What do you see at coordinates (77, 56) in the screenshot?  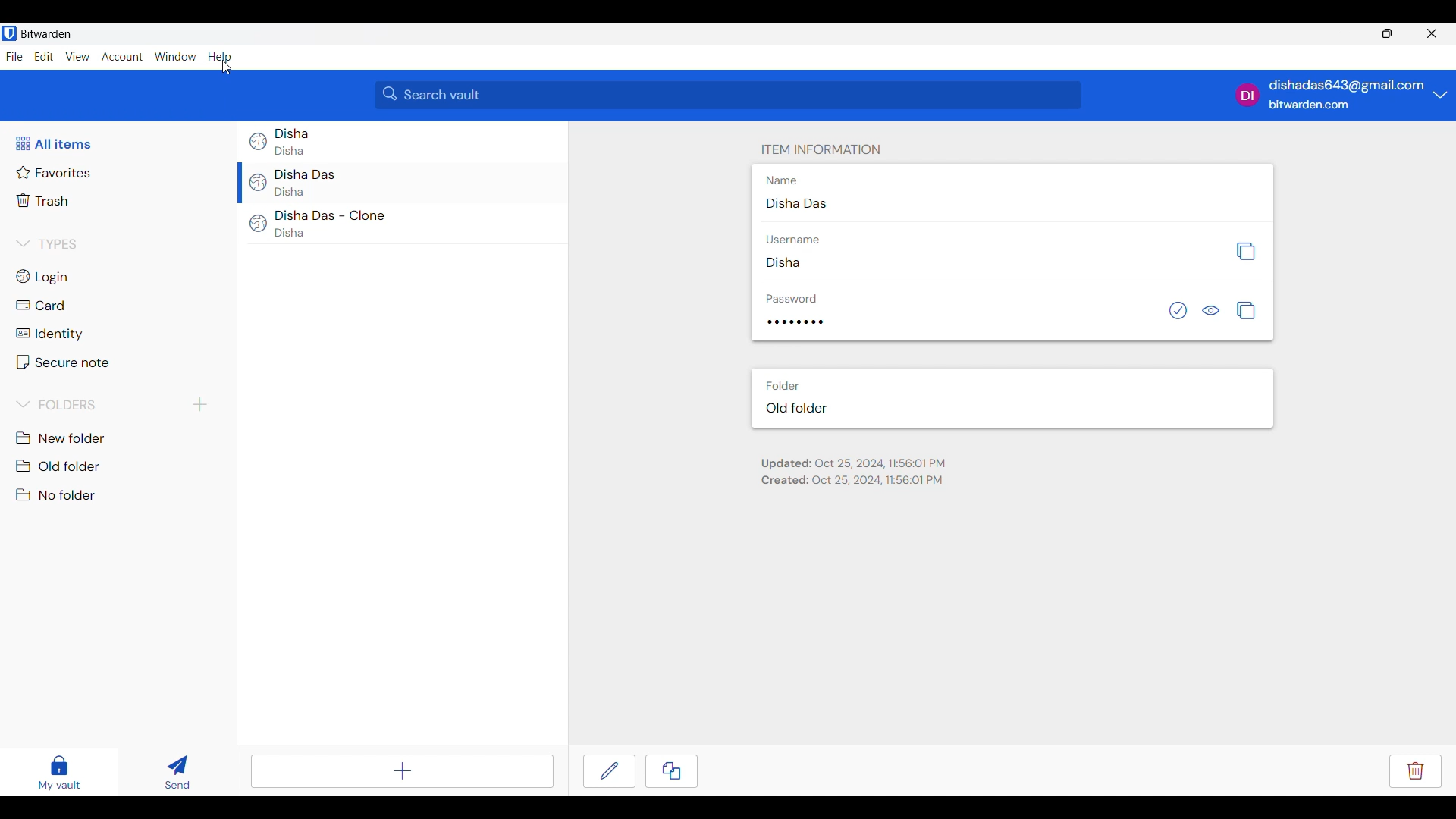 I see `View menu` at bounding box center [77, 56].